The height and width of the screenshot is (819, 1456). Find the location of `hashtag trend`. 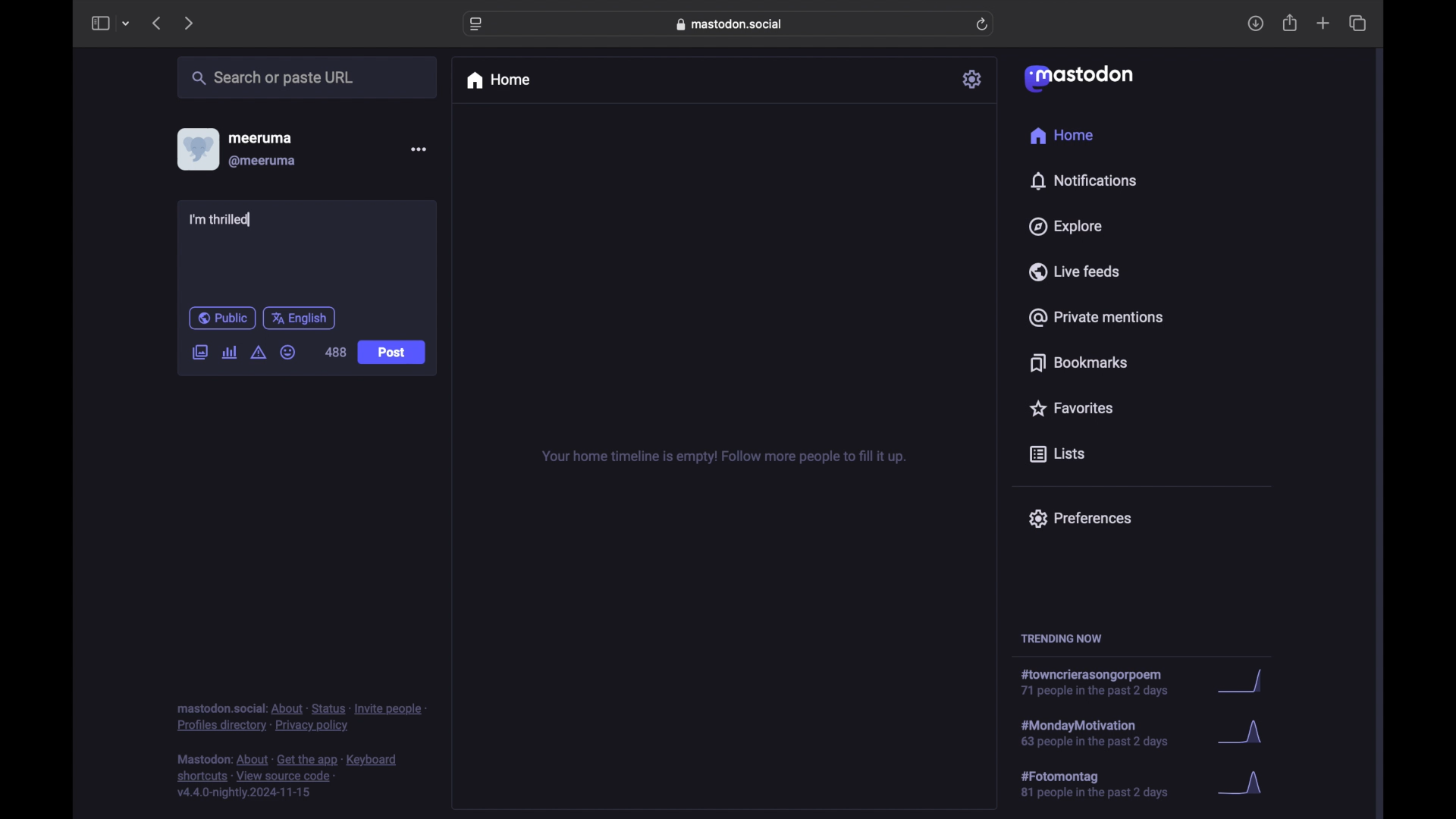

hashtag trend is located at coordinates (1100, 682).